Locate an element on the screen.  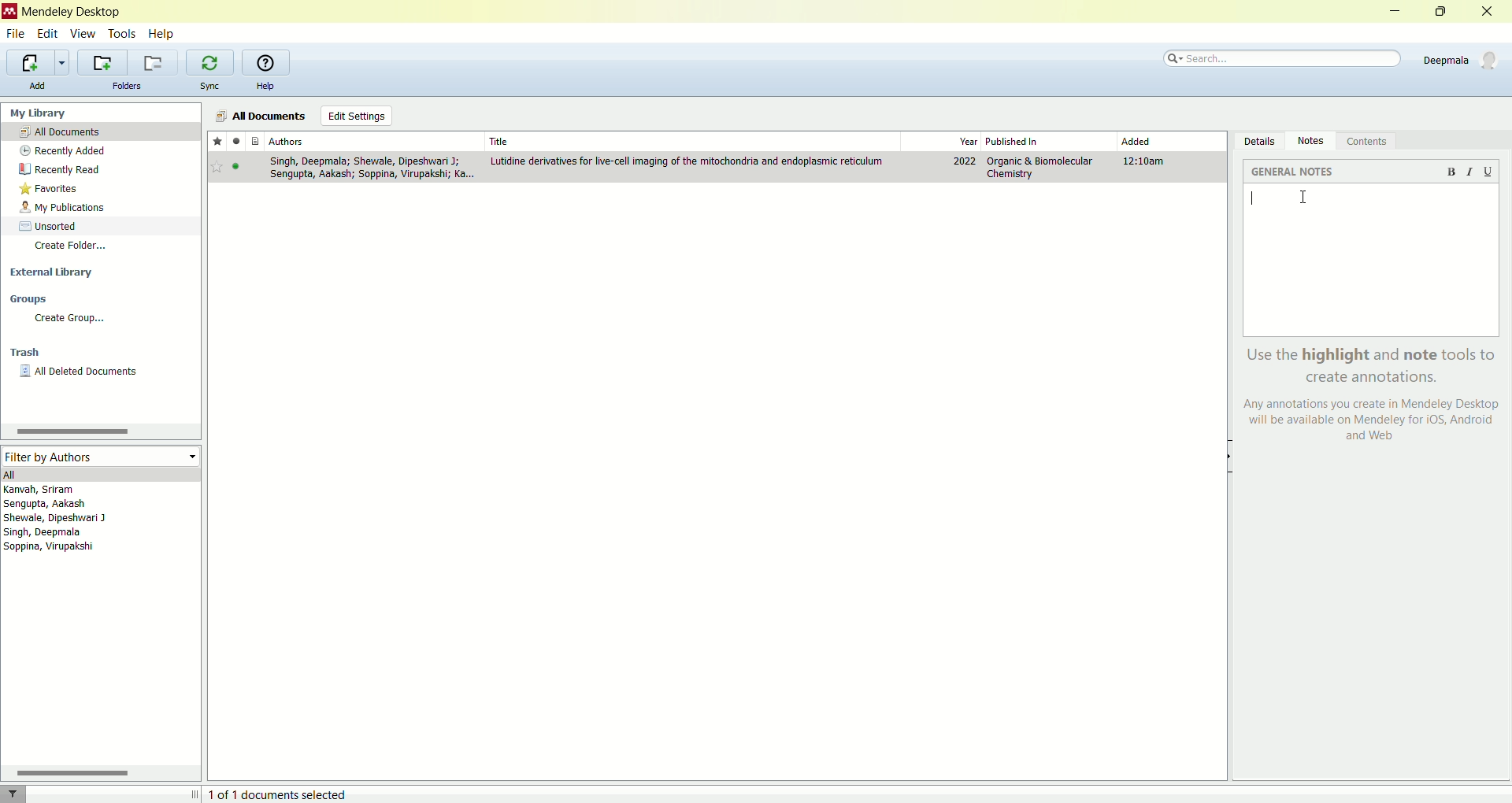
favorites is located at coordinates (97, 187).